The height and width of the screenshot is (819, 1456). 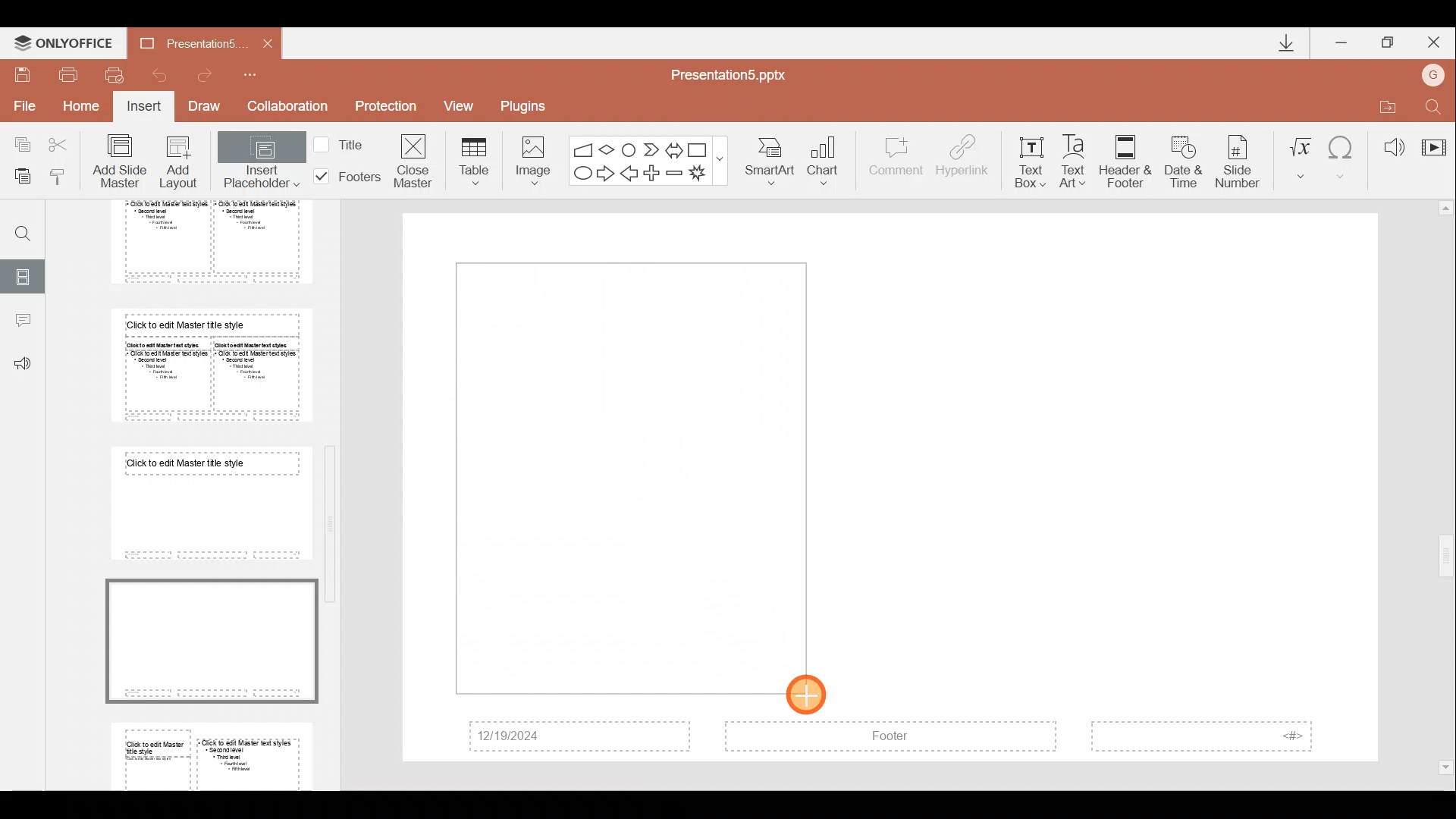 I want to click on Quick print, so click(x=114, y=76).